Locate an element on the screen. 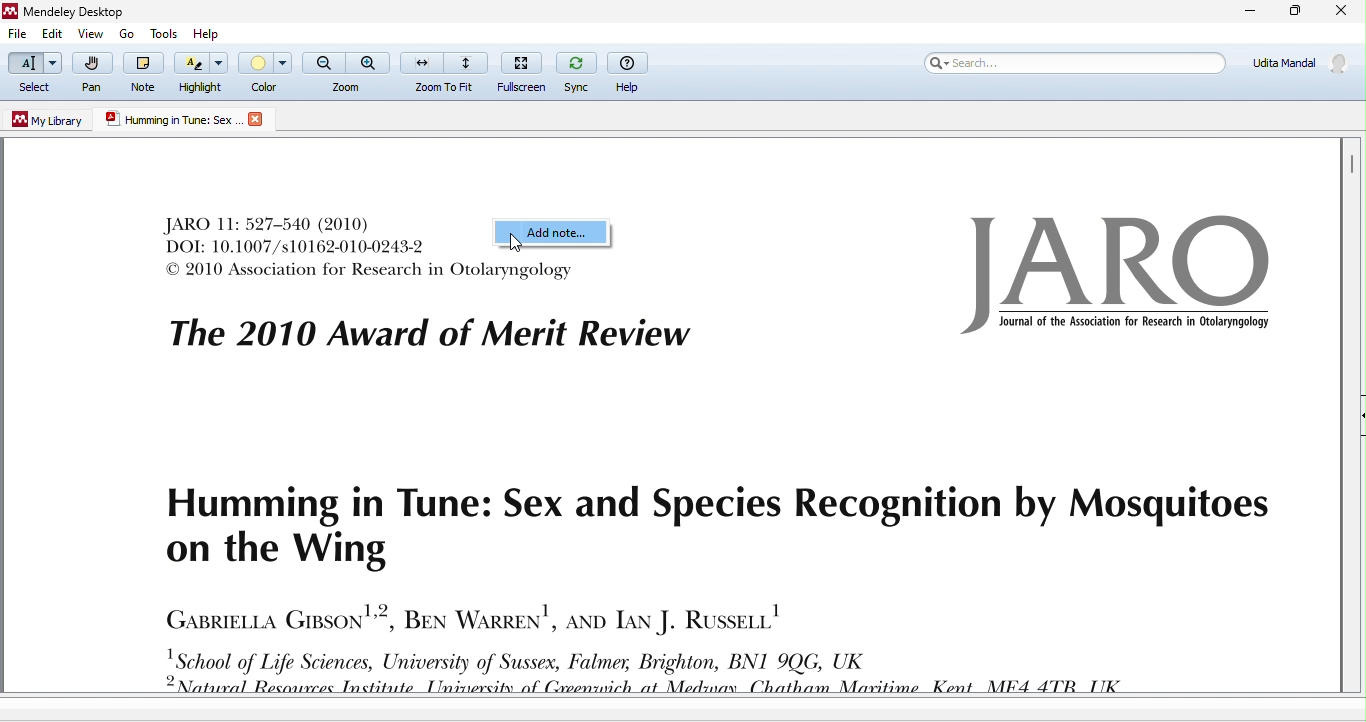 This screenshot has height=722, width=1366. Mendeley Desktop is located at coordinates (90, 11).